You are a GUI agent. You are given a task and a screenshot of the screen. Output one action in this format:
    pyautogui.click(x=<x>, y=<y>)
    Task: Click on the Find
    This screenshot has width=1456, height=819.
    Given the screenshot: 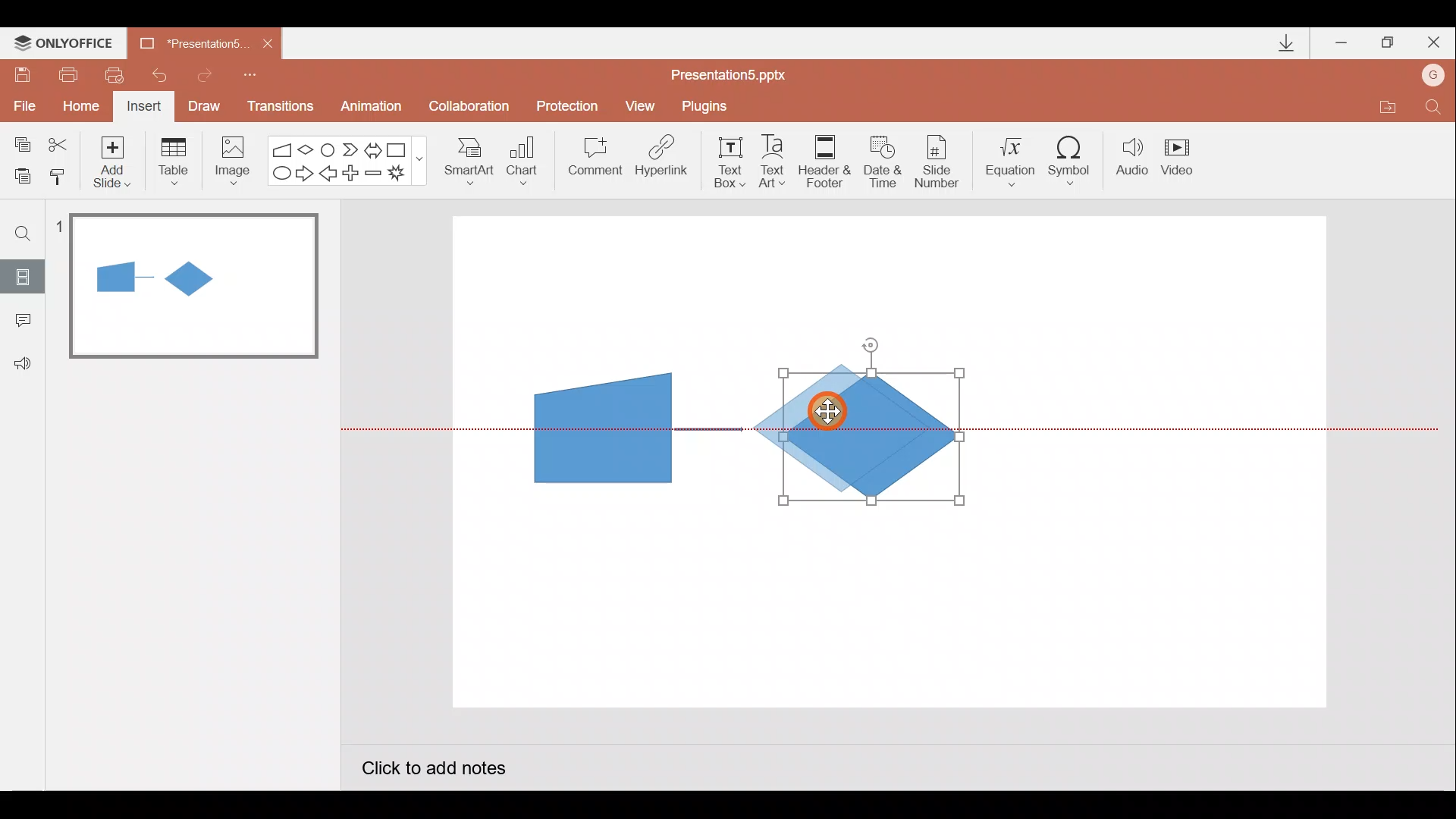 What is the action you would take?
    pyautogui.click(x=1433, y=111)
    